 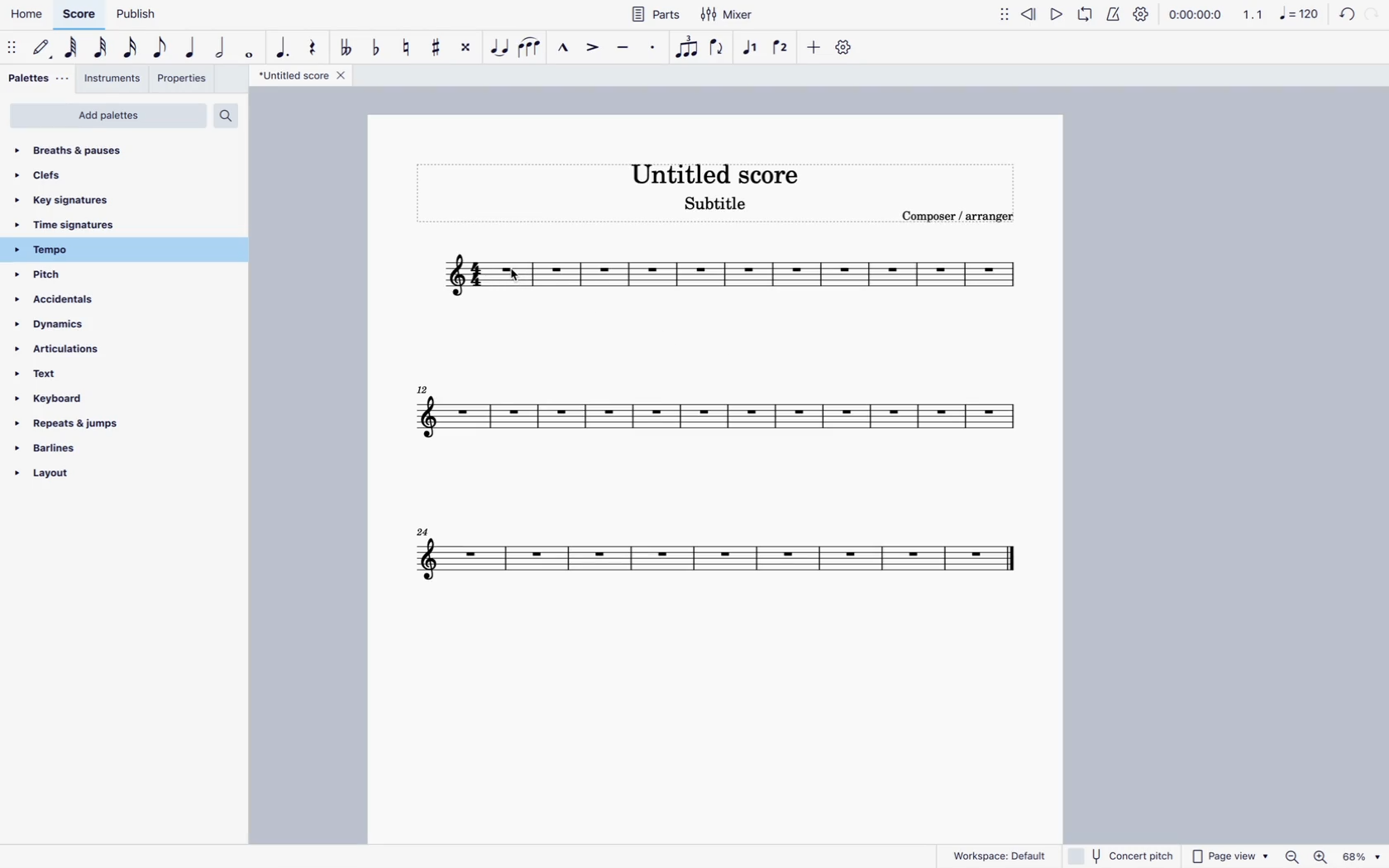 I want to click on text, so click(x=83, y=379).